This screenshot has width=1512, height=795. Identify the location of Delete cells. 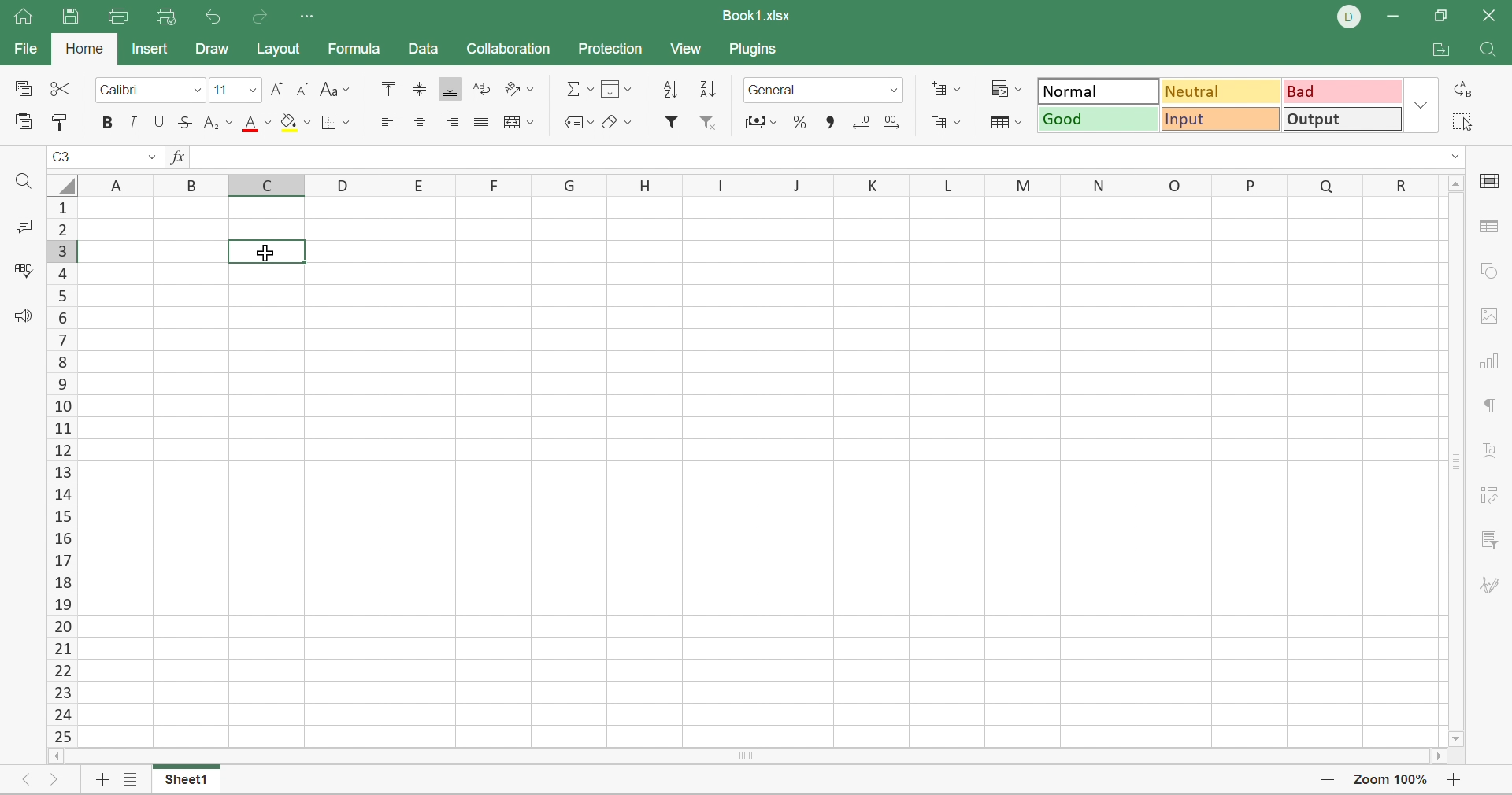
(948, 124).